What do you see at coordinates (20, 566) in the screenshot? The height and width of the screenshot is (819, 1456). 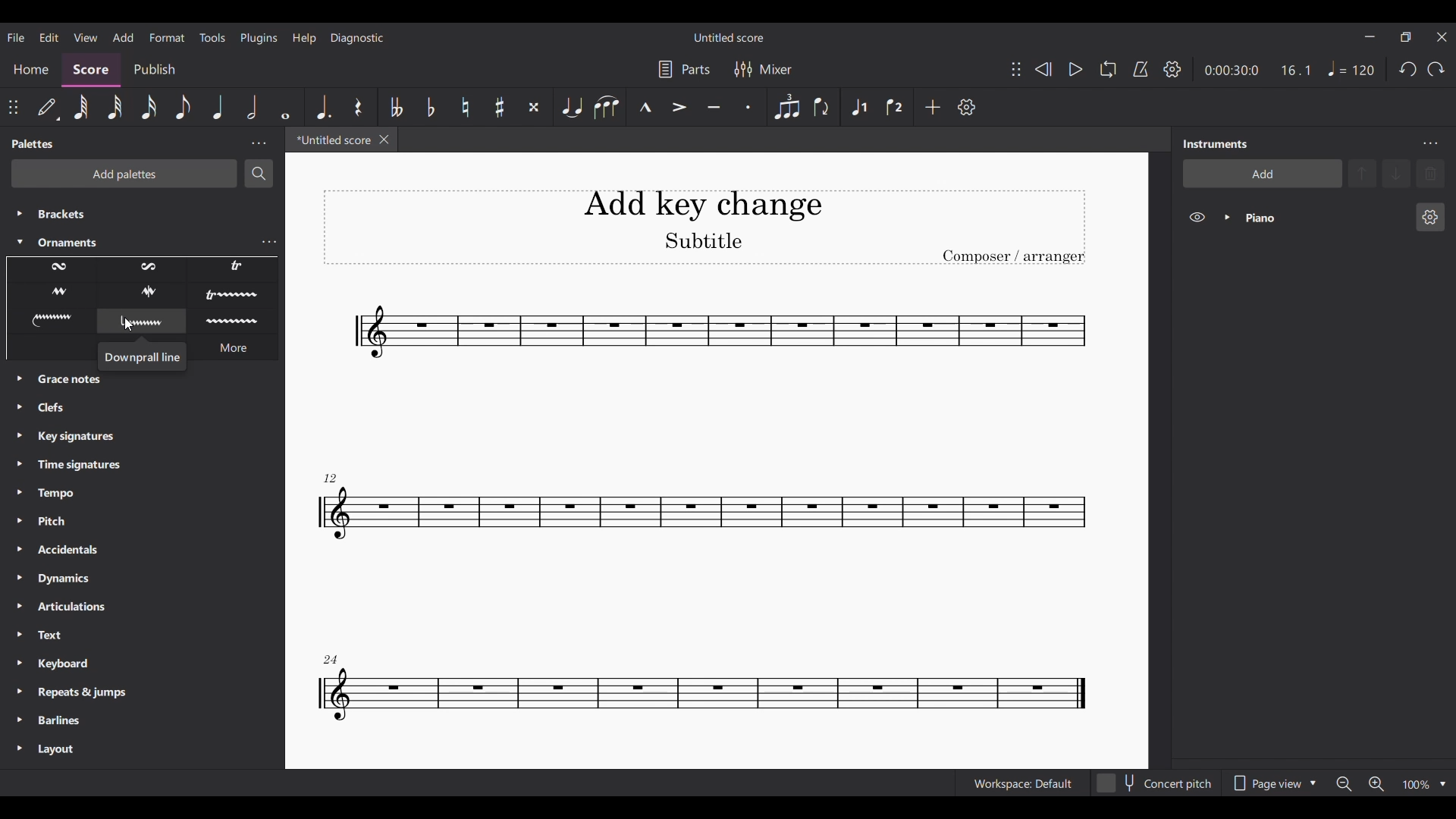 I see `Expand palettes` at bounding box center [20, 566].